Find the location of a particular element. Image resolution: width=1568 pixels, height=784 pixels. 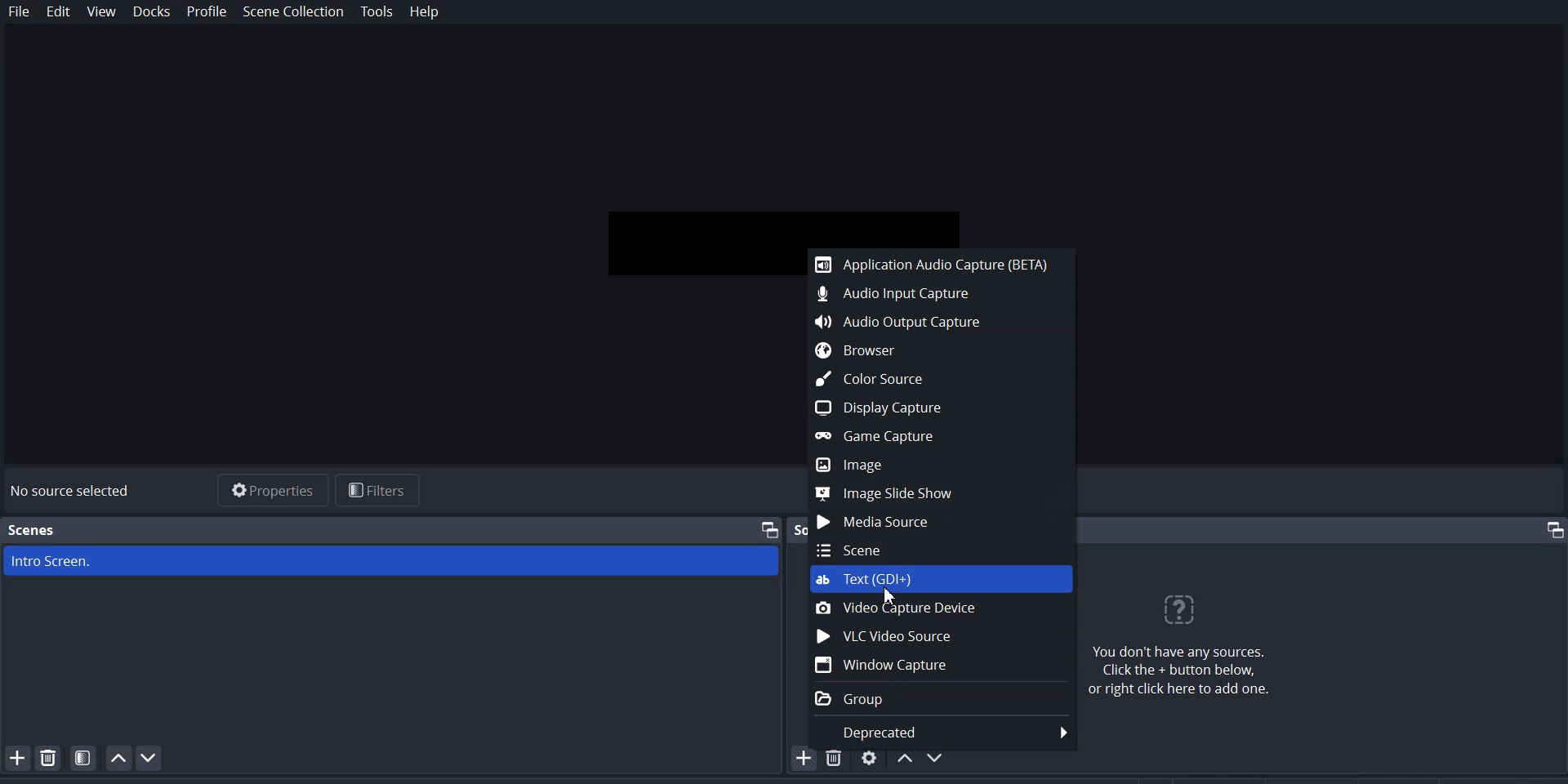

Application Audio Capture BETA is located at coordinates (933, 264).